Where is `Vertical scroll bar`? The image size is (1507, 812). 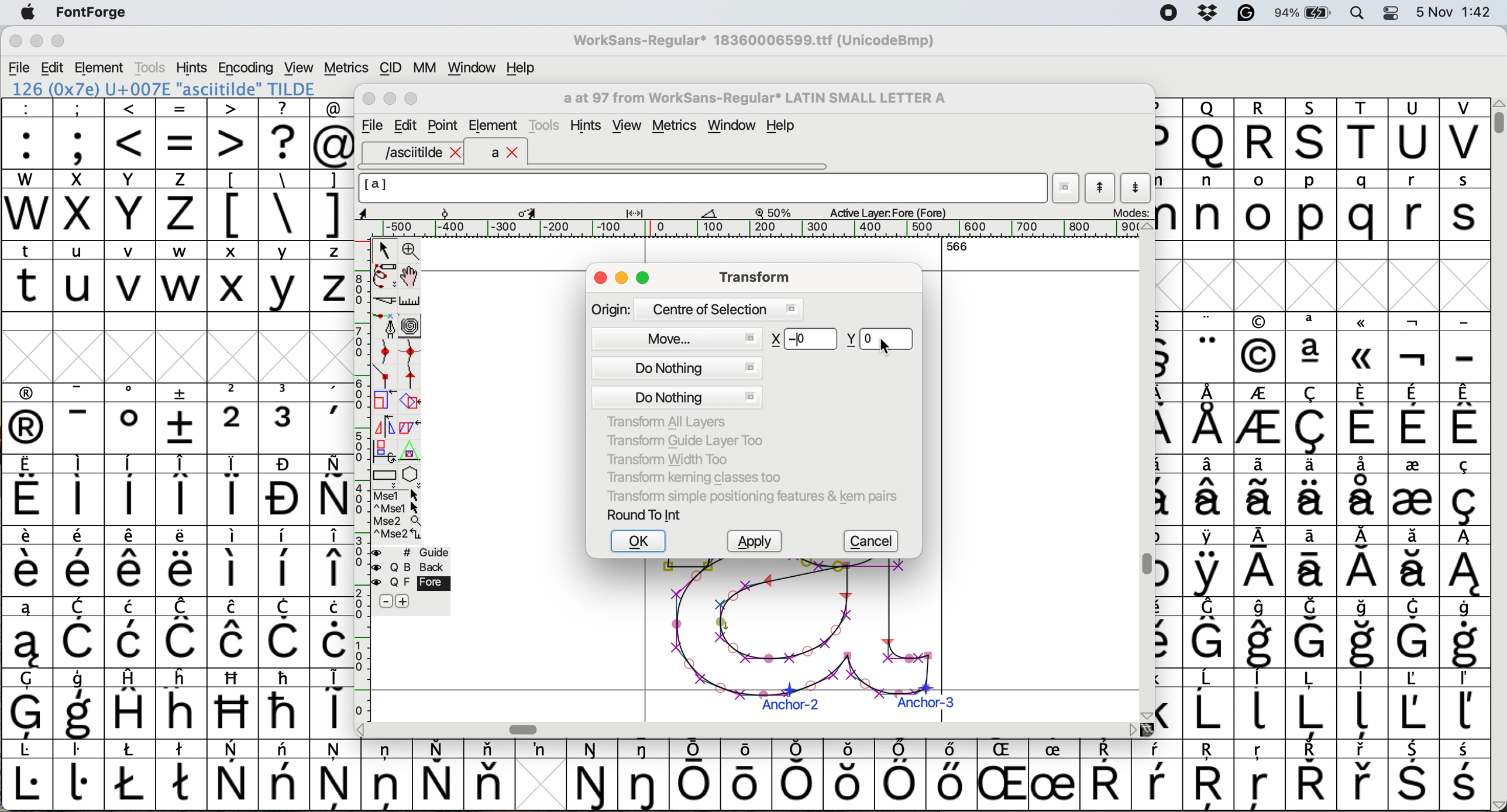 Vertical scroll bar is located at coordinates (1143, 566).